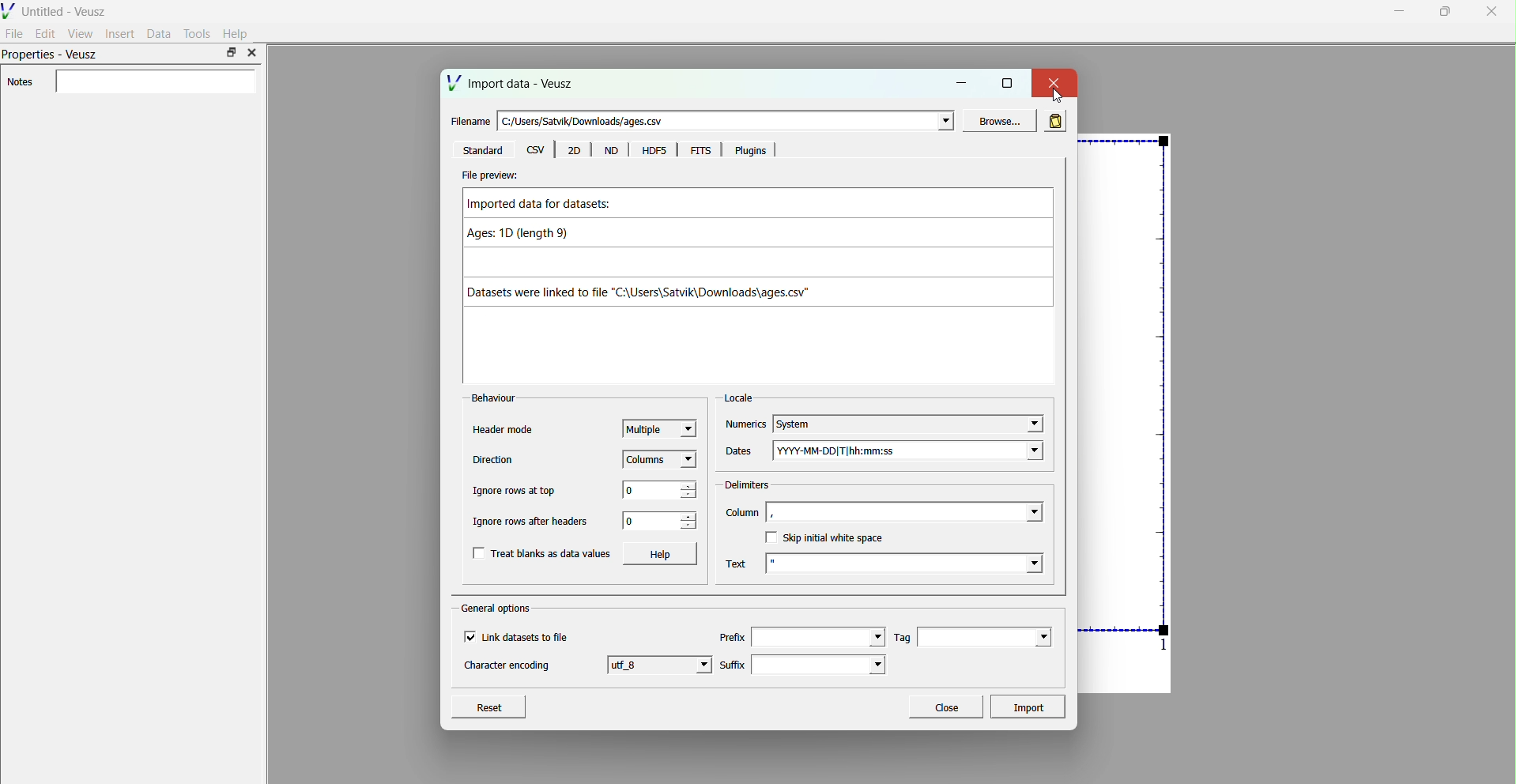 This screenshot has width=1516, height=784. I want to click on Dates, so click(741, 454).